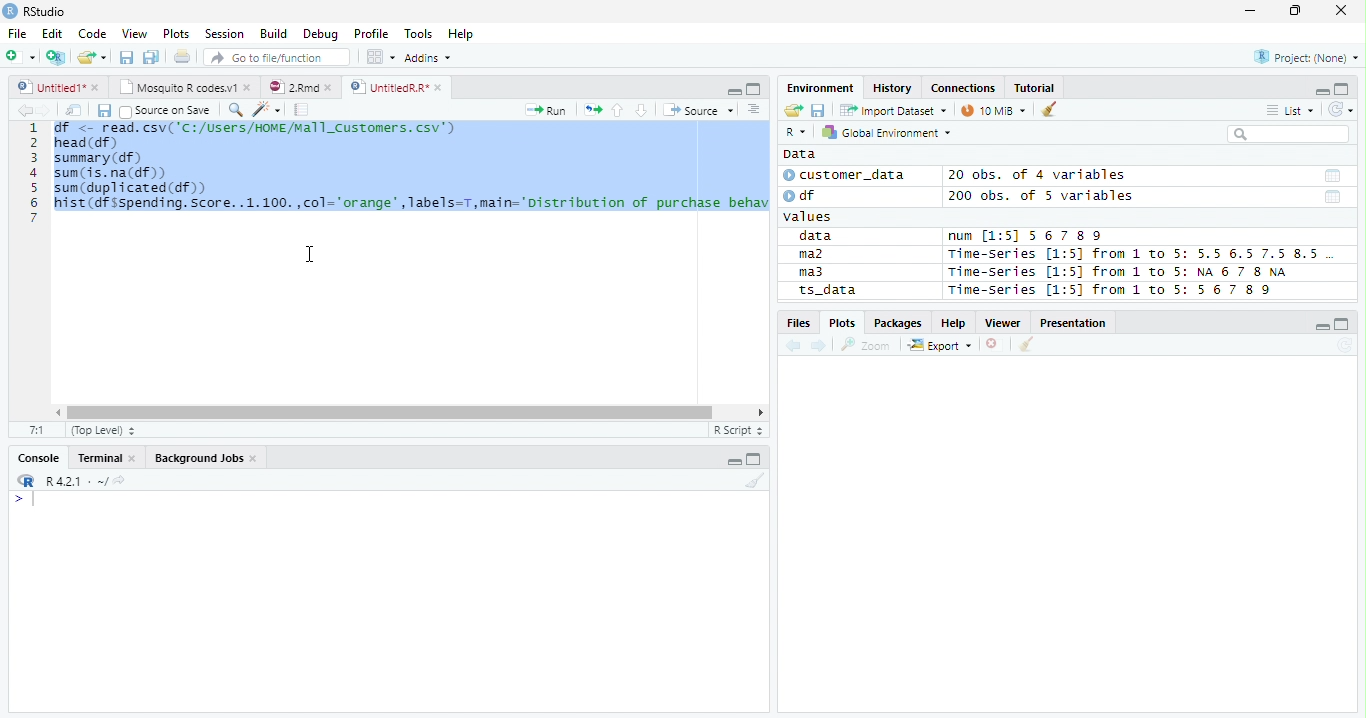 This screenshot has width=1366, height=718. I want to click on ma2, so click(816, 256).